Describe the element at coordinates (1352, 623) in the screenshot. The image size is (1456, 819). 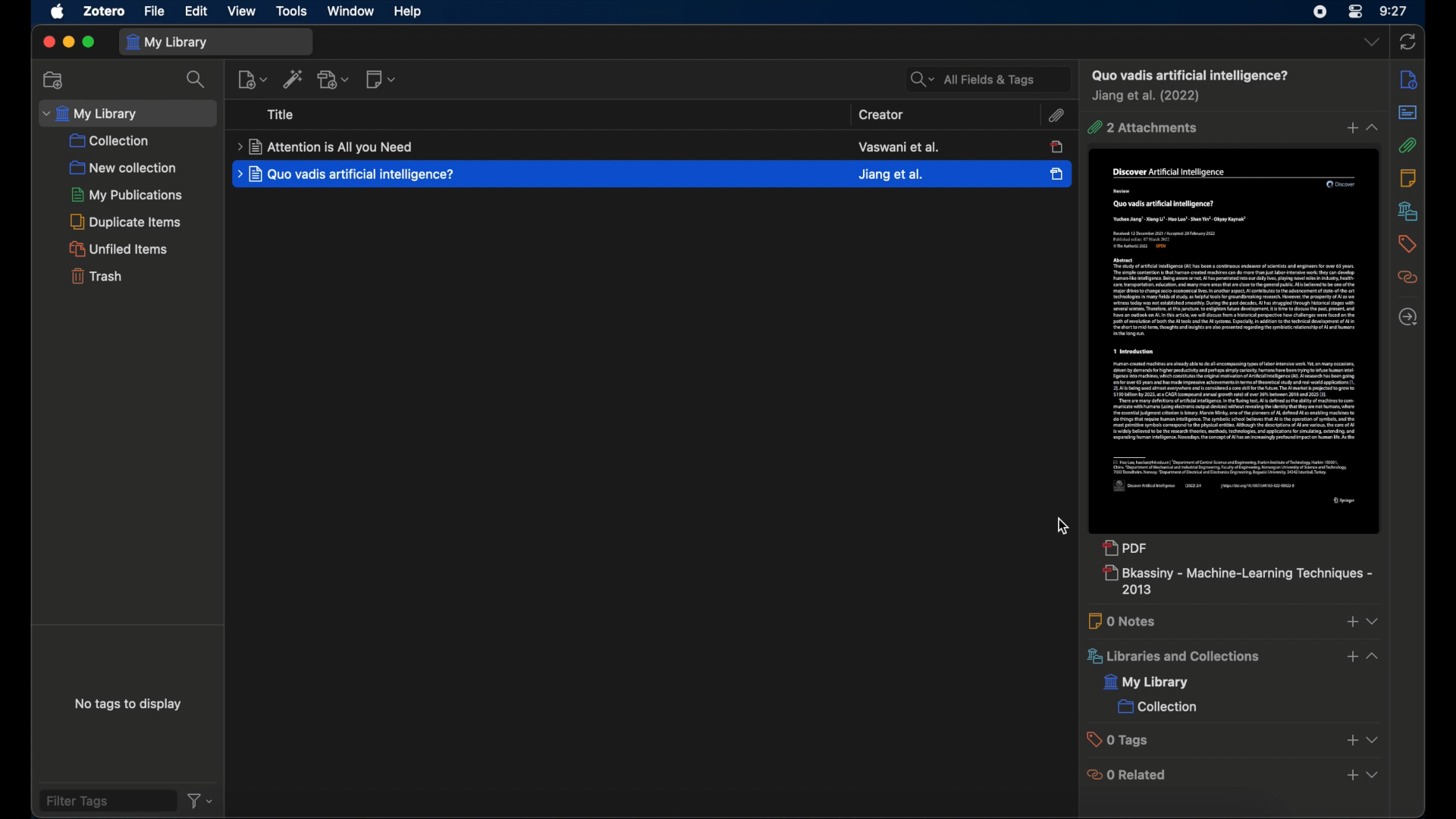
I see `add` at that location.